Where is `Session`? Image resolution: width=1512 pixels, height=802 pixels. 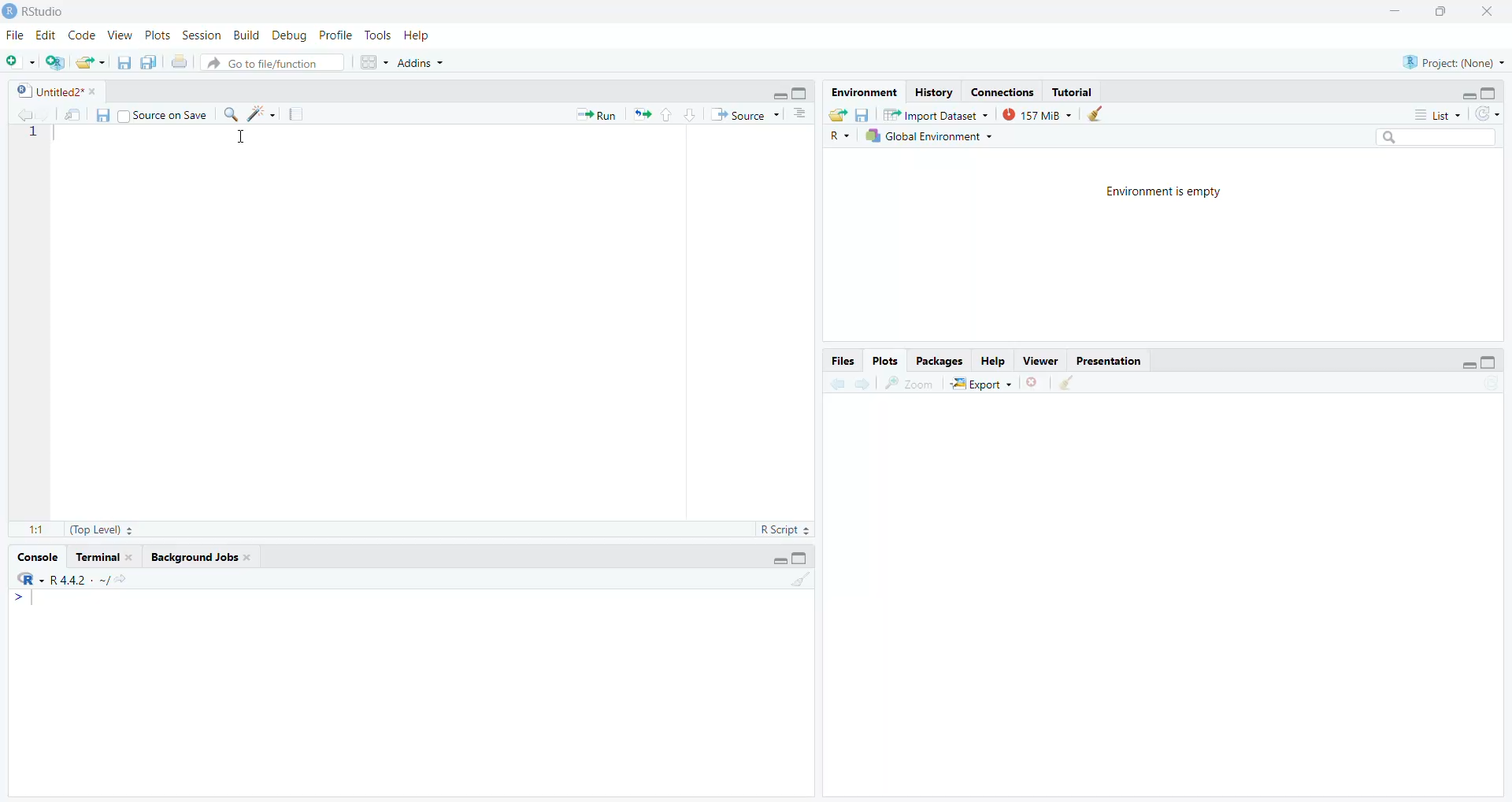 Session is located at coordinates (203, 34).